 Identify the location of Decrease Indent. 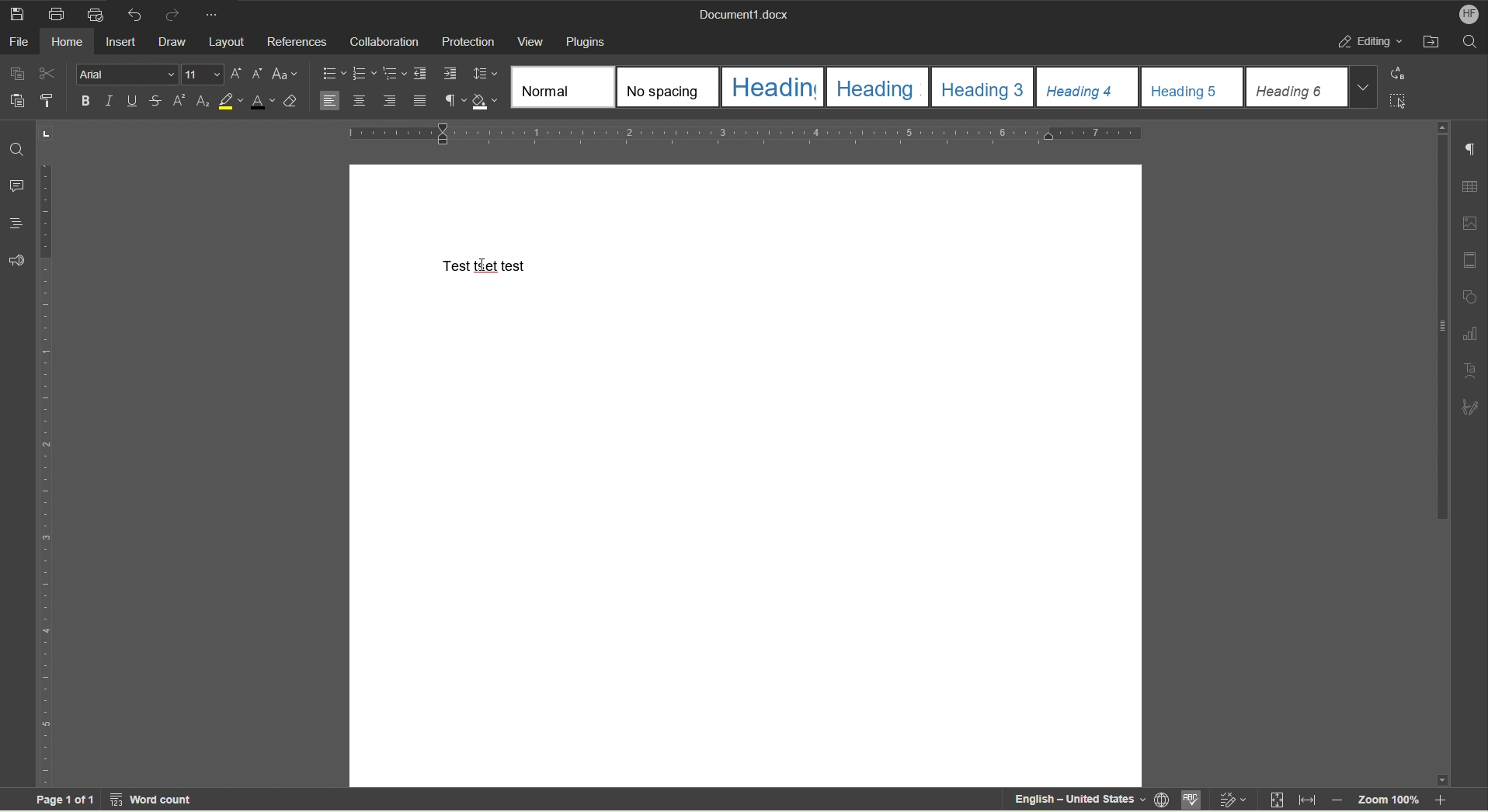
(422, 75).